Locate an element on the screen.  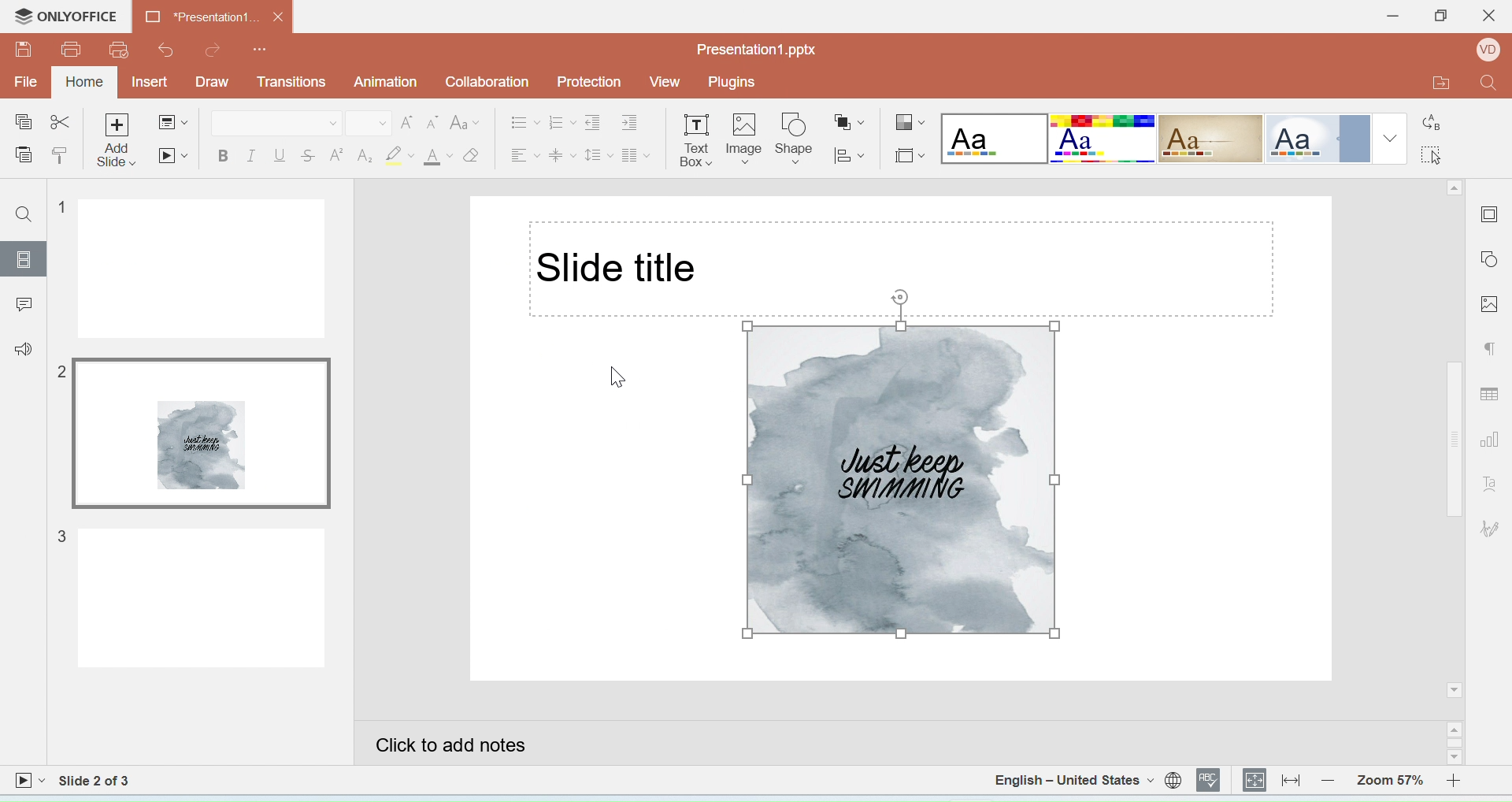
Cut is located at coordinates (61, 124).